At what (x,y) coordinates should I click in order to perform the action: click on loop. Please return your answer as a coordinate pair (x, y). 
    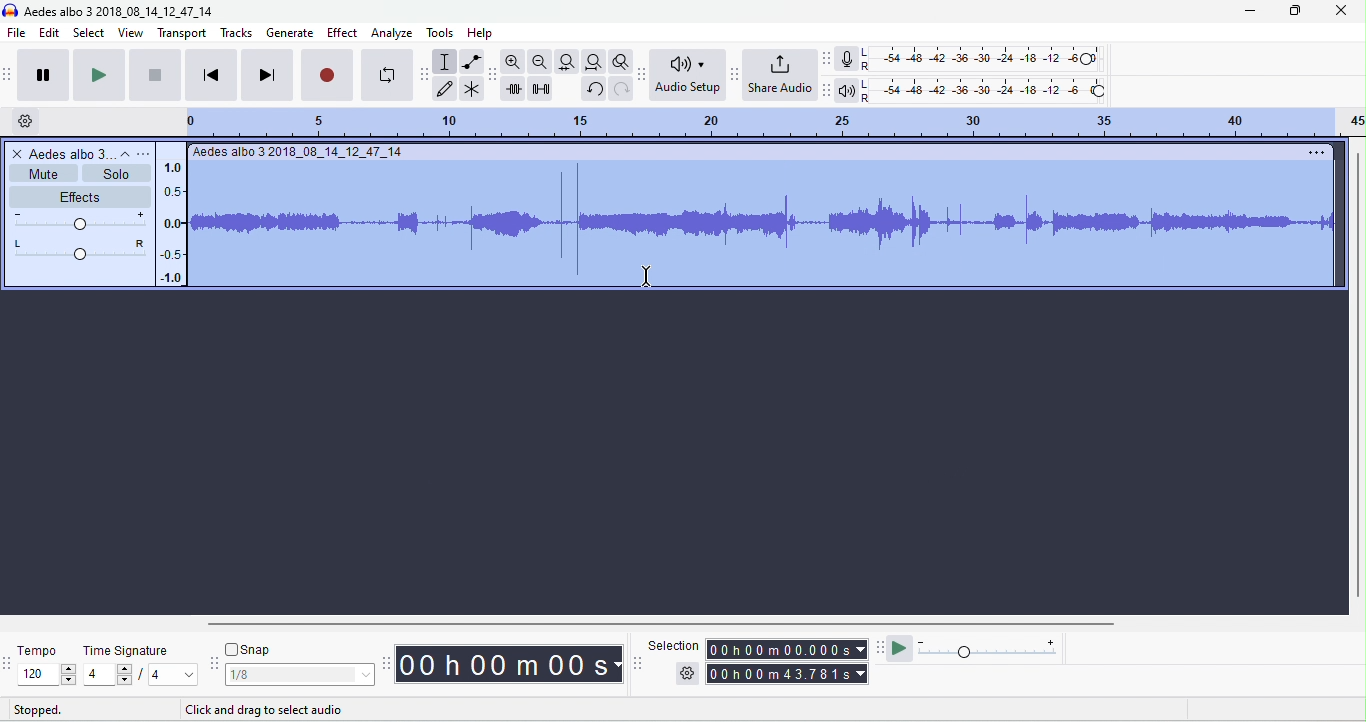
    Looking at the image, I should click on (389, 73).